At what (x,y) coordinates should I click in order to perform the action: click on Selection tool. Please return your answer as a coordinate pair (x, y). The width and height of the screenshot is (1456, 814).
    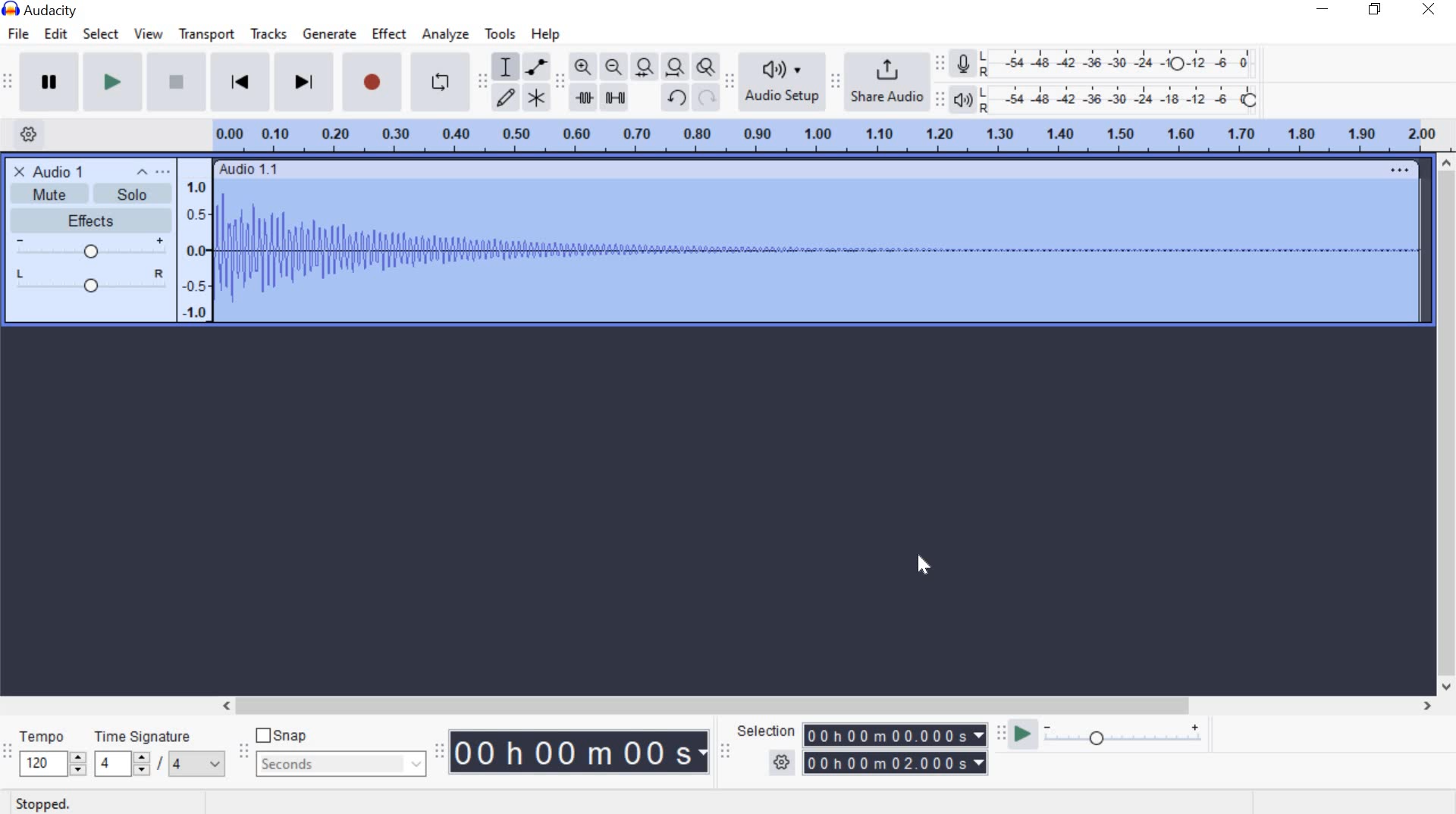
    Looking at the image, I should click on (506, 68).